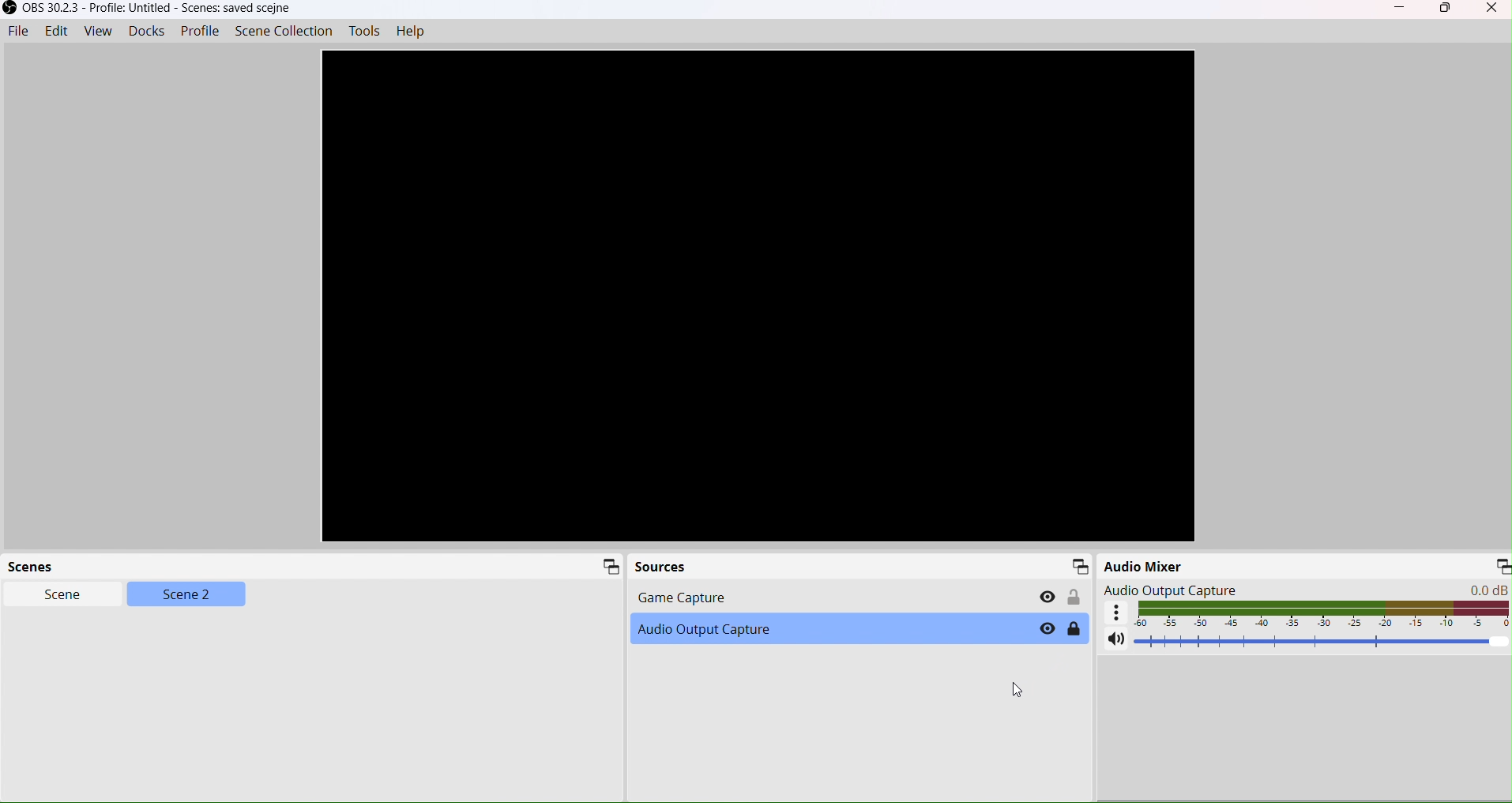 Image resolution: width=1512 pixels, height=803 pixels. Describe the element at coordinates (18, 32) in the screenshot. I see `File` at that location.